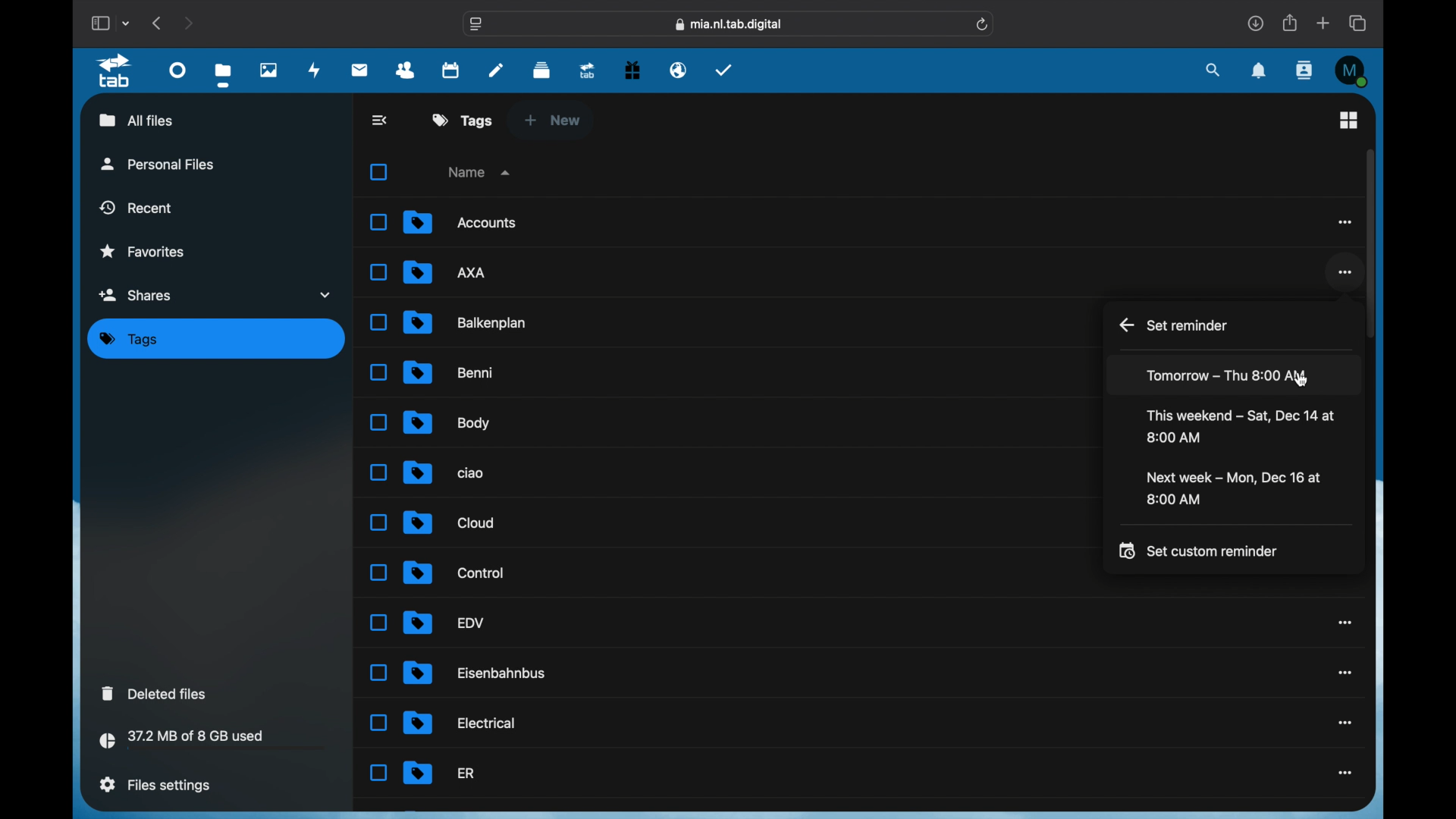 Image resolution: width=1456 pixels, height=819 pixels. What do you see at coordinates (449, 522) in the screenshot?
I see `file` at bounding box center [449, 522].